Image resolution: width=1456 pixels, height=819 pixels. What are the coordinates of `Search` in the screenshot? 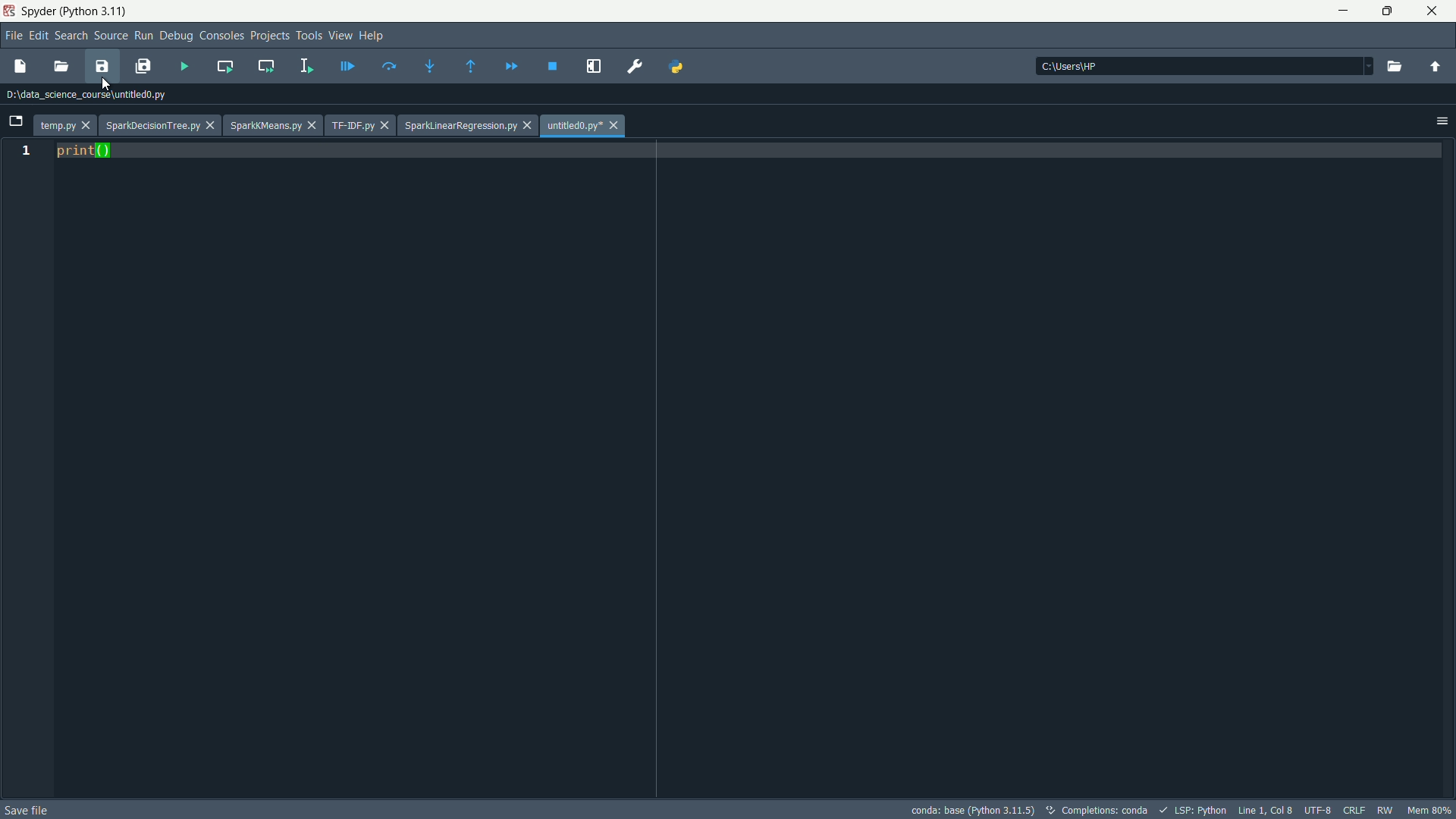 It's located at (72, 37).